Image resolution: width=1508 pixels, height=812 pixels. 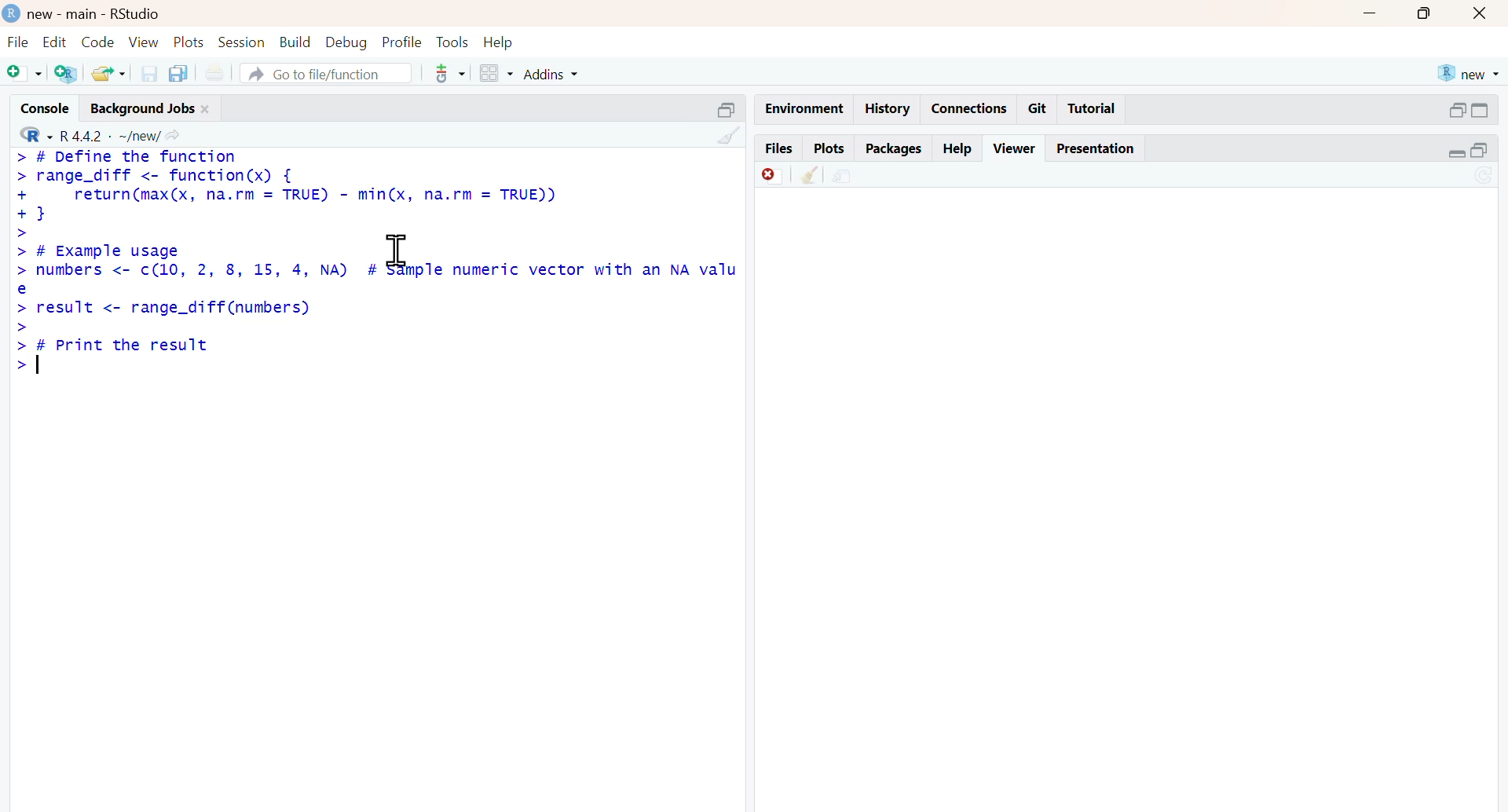 I want to click on close, so click(x=207, y=110).